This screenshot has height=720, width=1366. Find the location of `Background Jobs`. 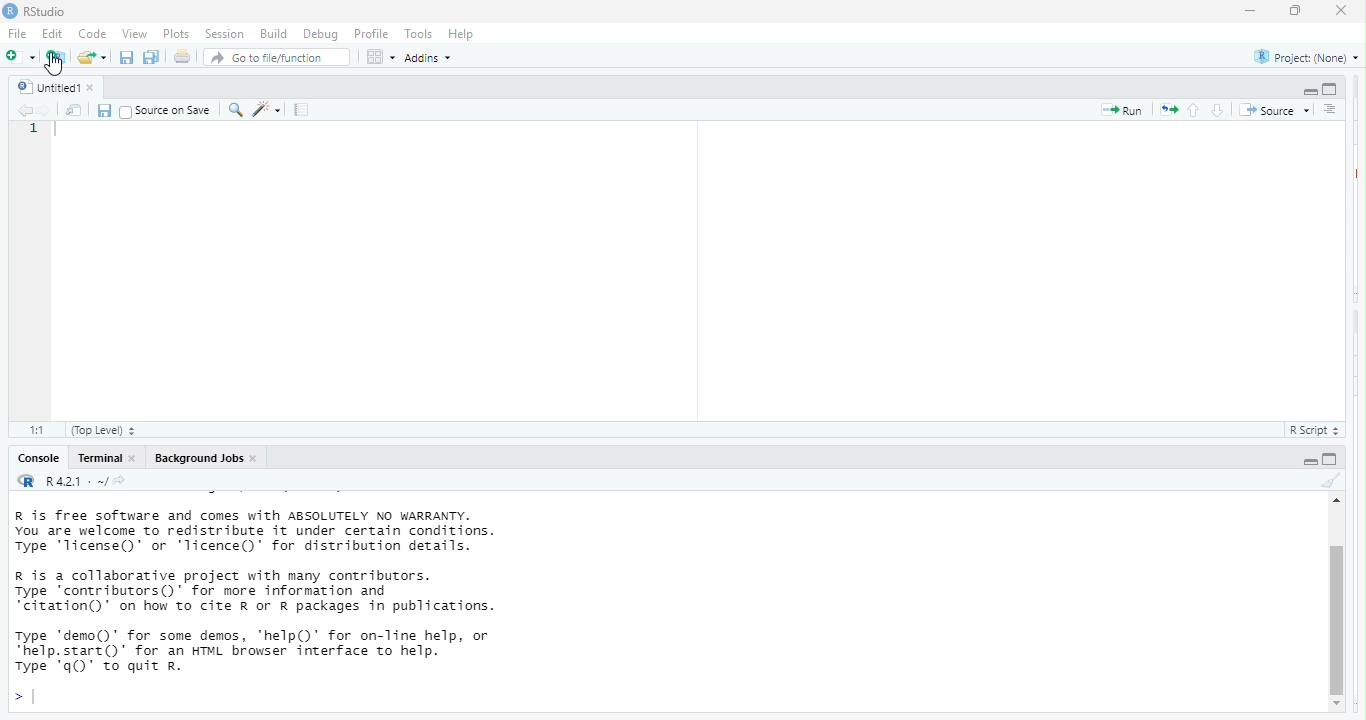

Background Jobs is located at coordinates (198, 459).